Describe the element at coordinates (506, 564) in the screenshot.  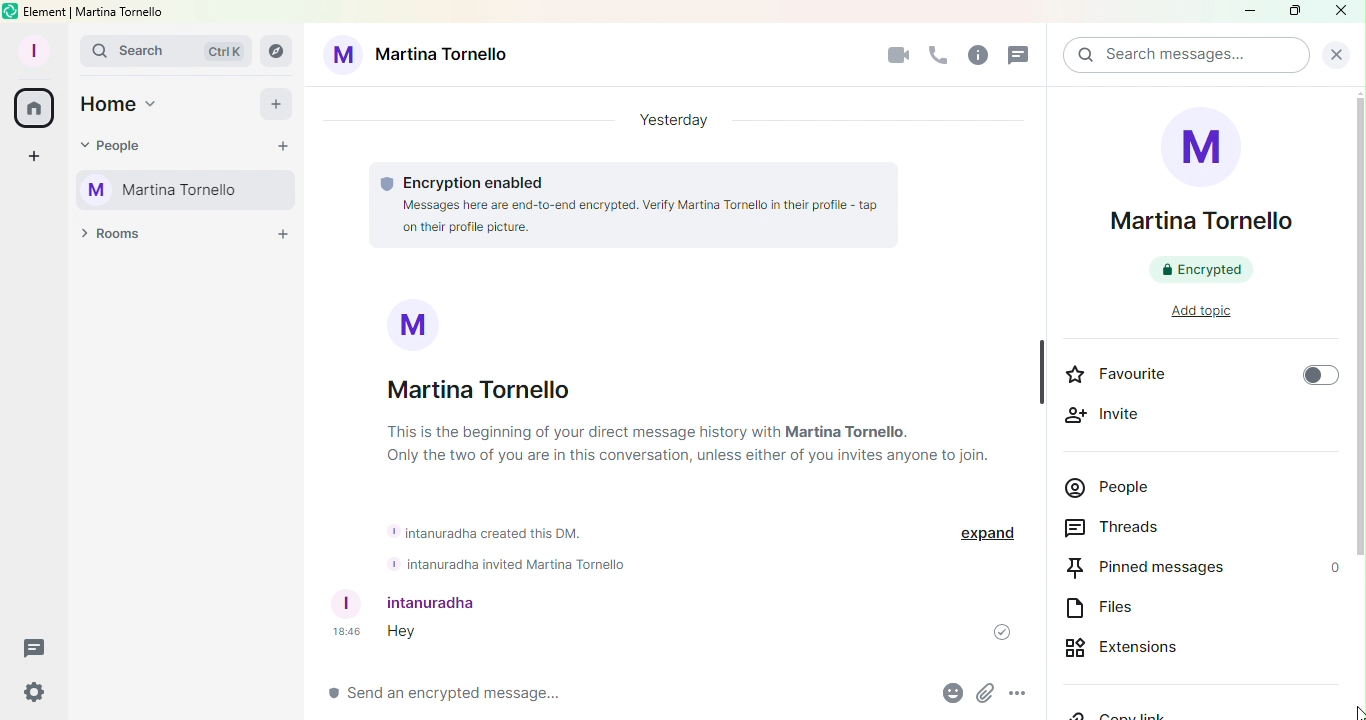
I see ` intanuradha invited martina tornello` at that location.